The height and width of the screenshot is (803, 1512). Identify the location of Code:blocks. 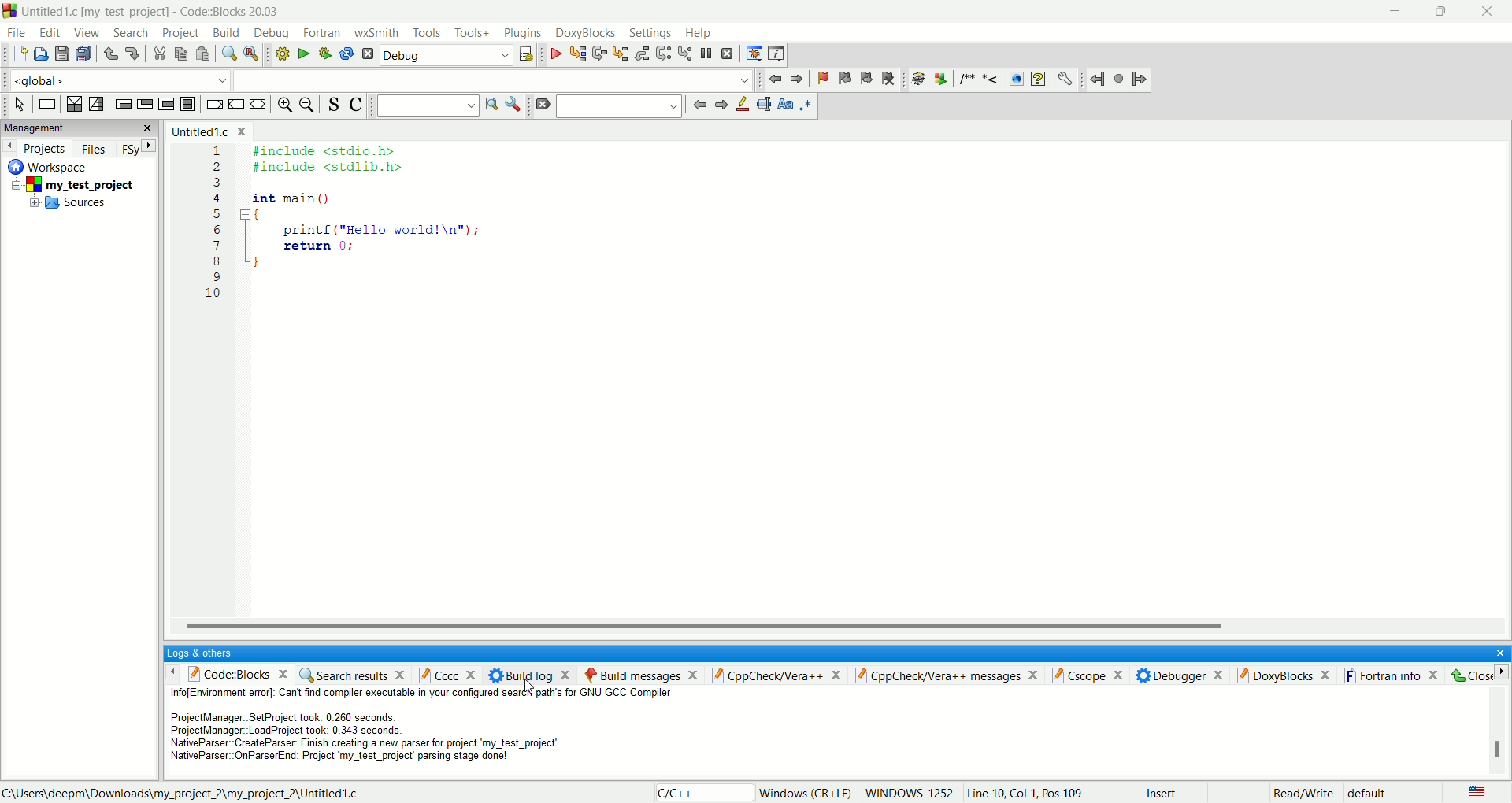
(226, 673).